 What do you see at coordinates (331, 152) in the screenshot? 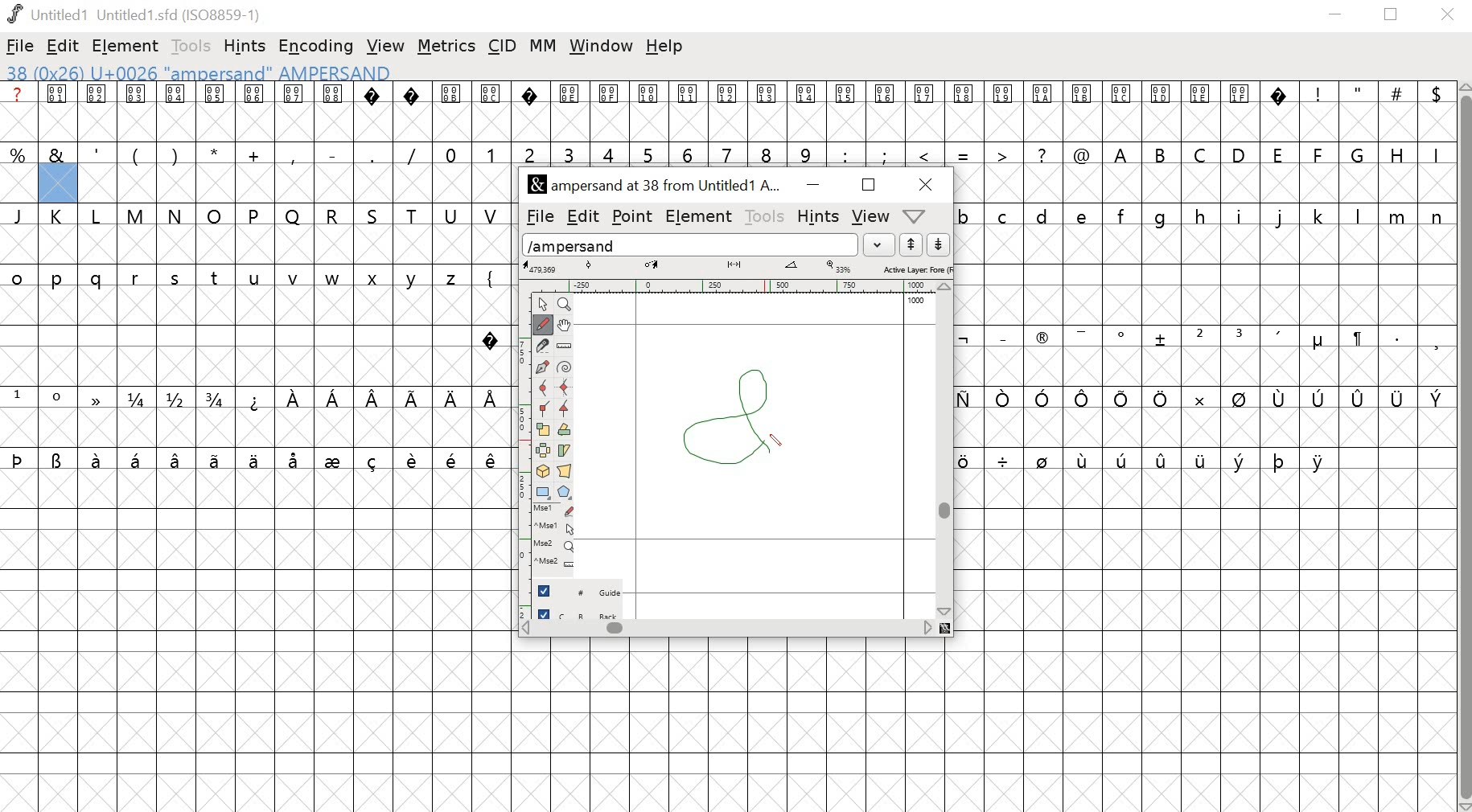
I see `-` at bounding box center [331, 152].